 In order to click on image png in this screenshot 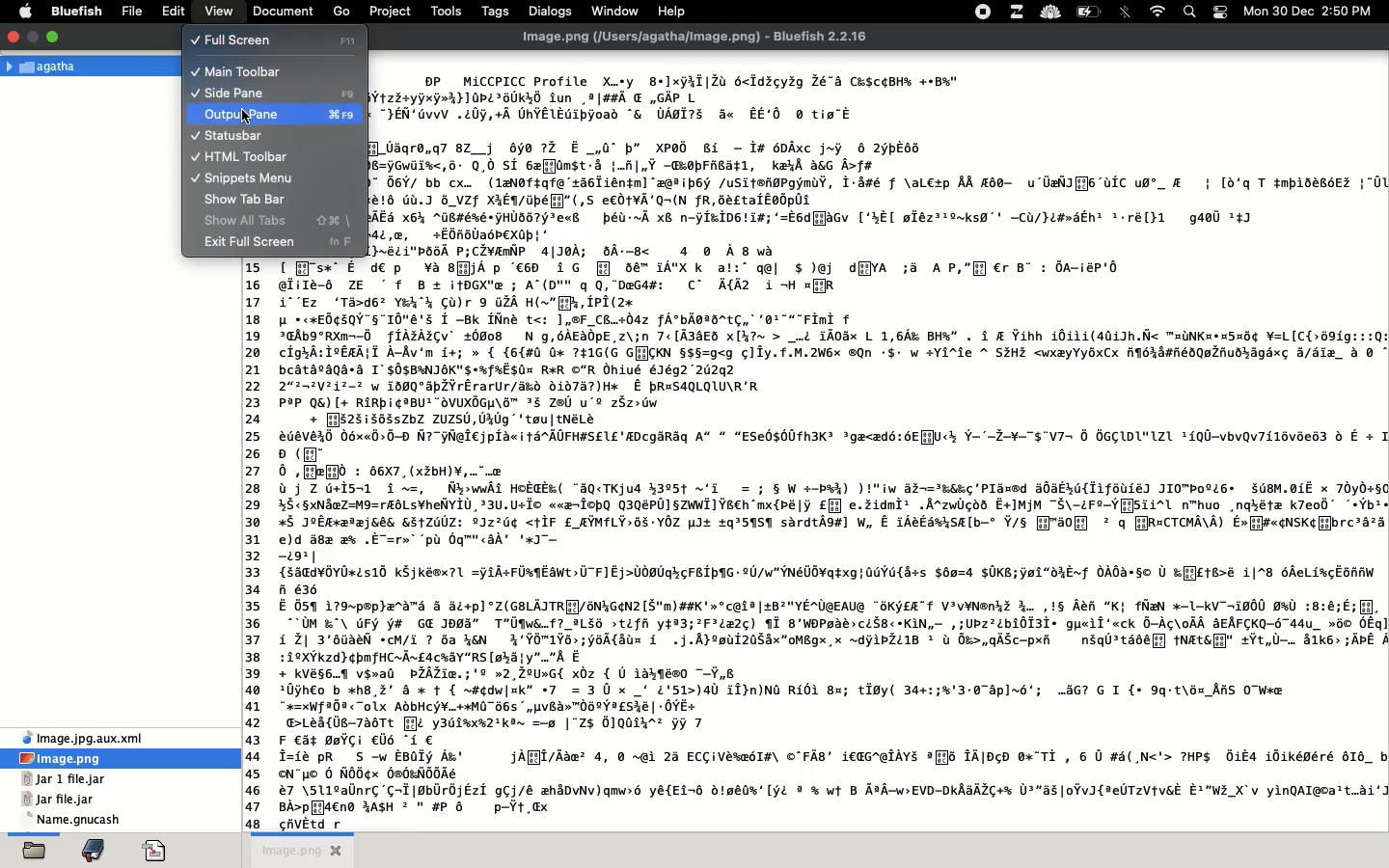, I will do `click(285, 850)`.